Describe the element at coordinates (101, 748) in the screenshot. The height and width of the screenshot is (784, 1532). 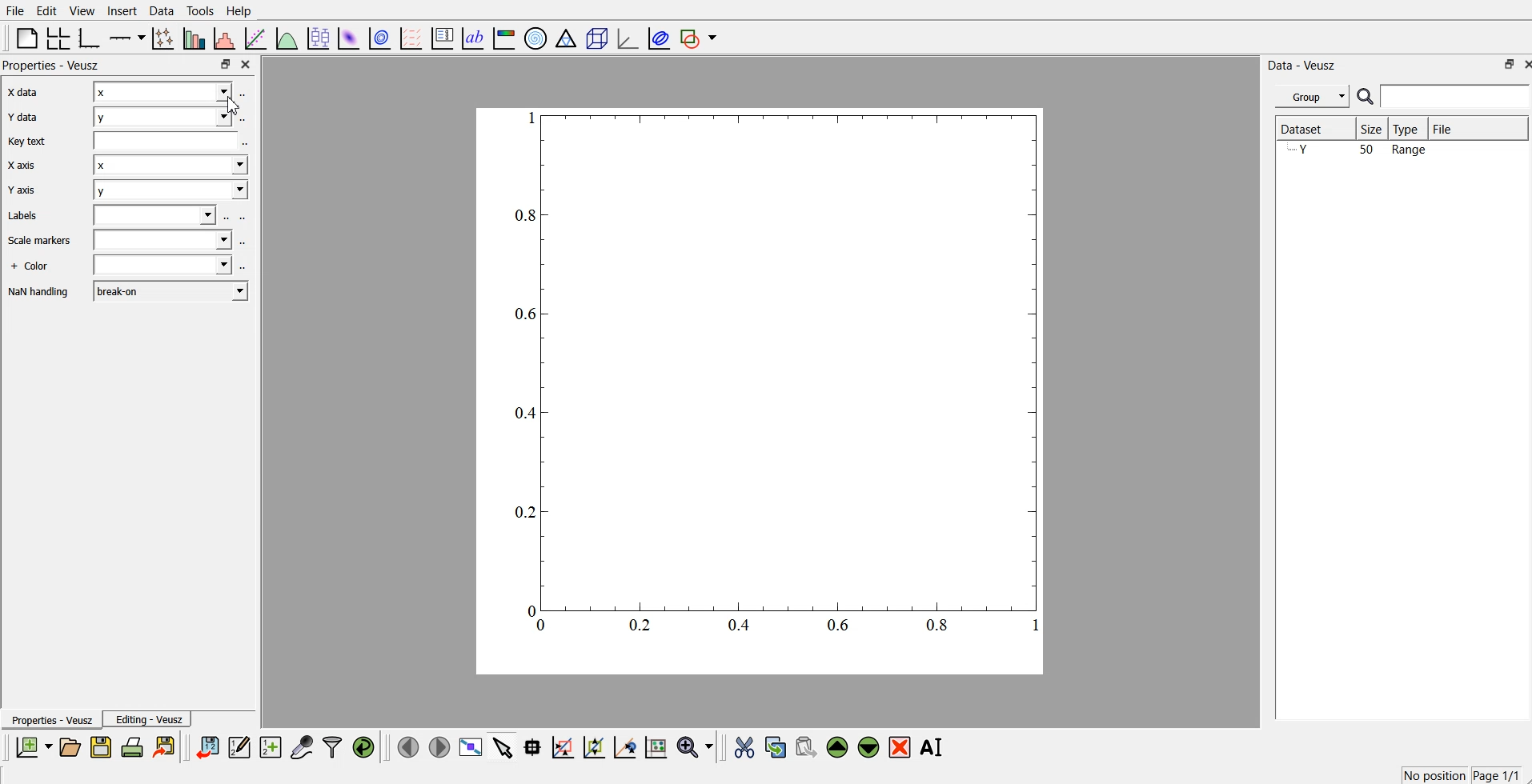
I see `save document` at that location.